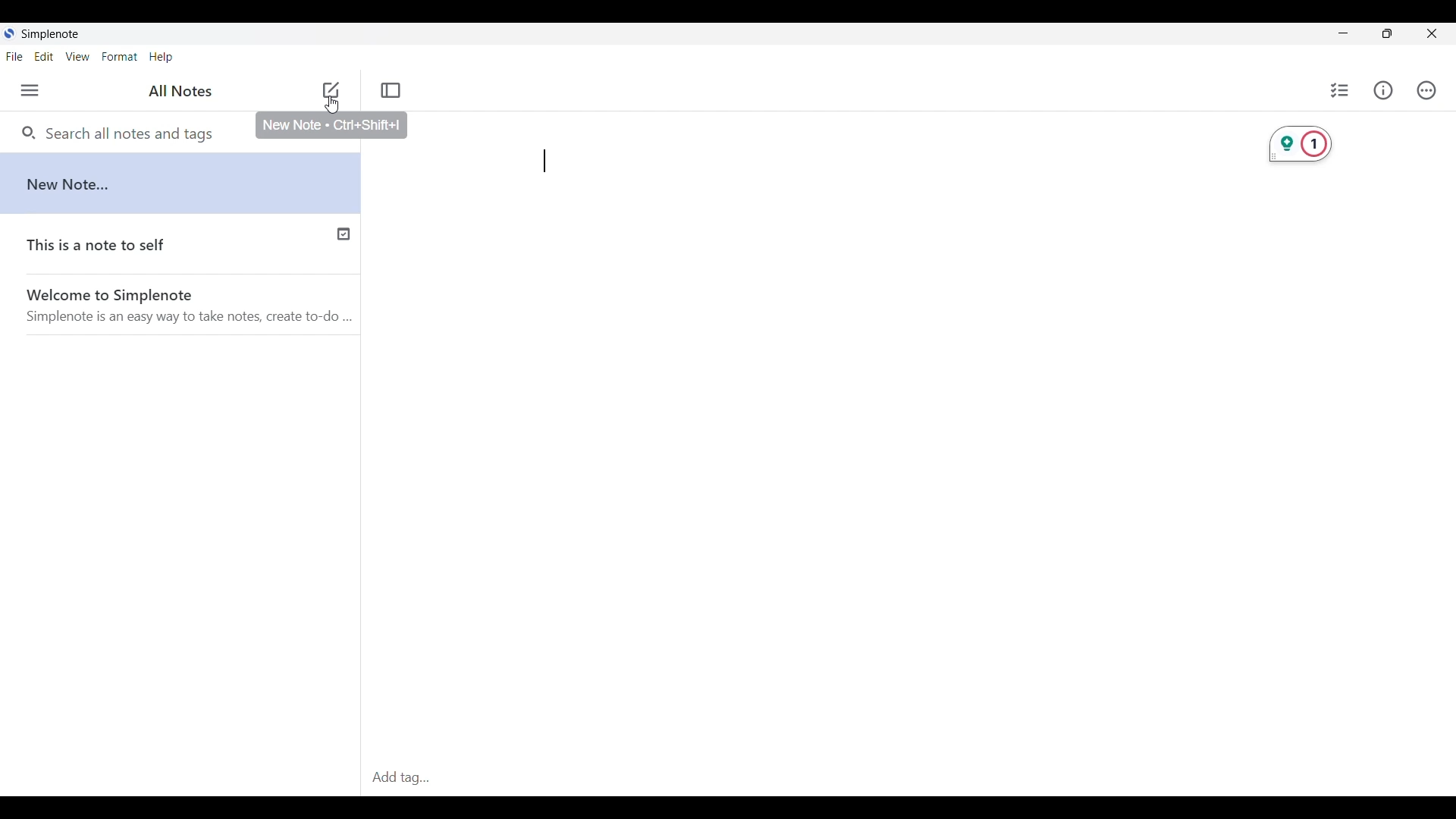 The height and width of the screenshot is (819, 1456). What do you see at coordinates (1426, 90) in the screenshot?
I see `Actions` at bounding box center [1426, 90].